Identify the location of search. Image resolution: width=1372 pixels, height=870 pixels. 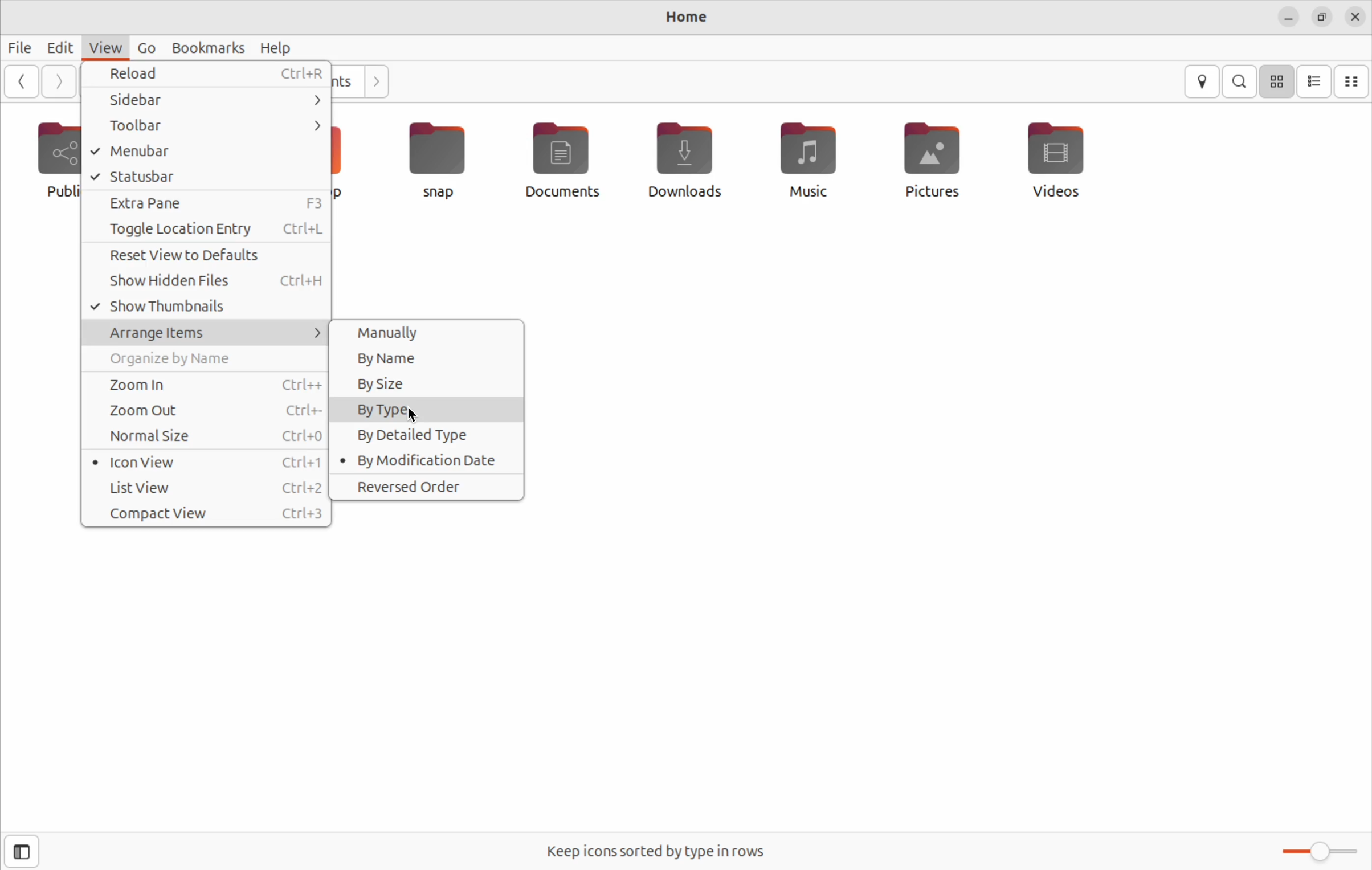
(1240, 81).